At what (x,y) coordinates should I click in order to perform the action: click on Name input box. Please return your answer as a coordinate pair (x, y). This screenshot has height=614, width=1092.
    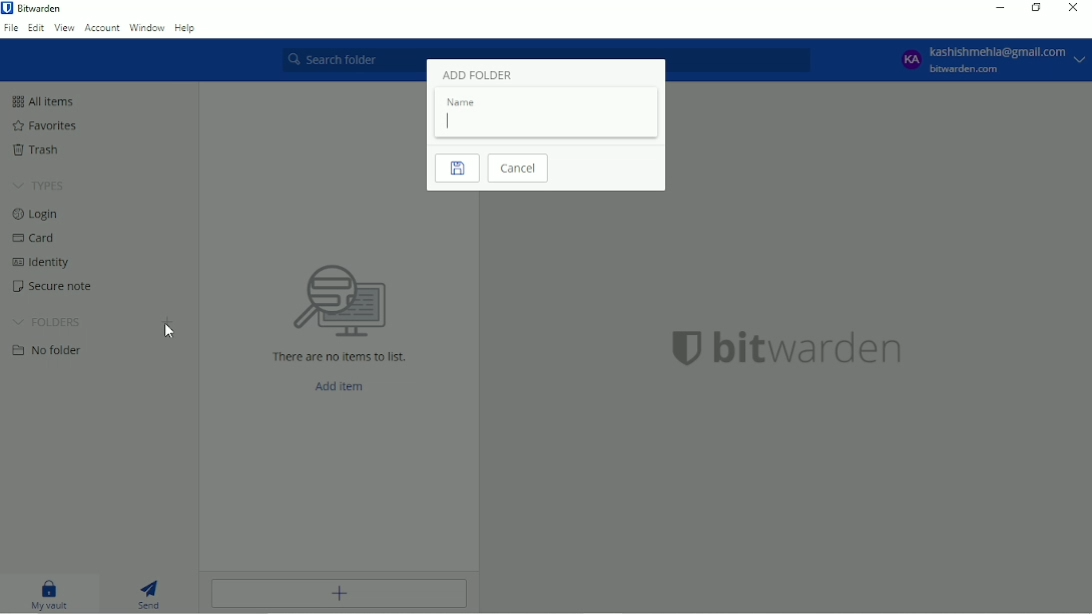
    Looking at the image, I should click on (547, 123).